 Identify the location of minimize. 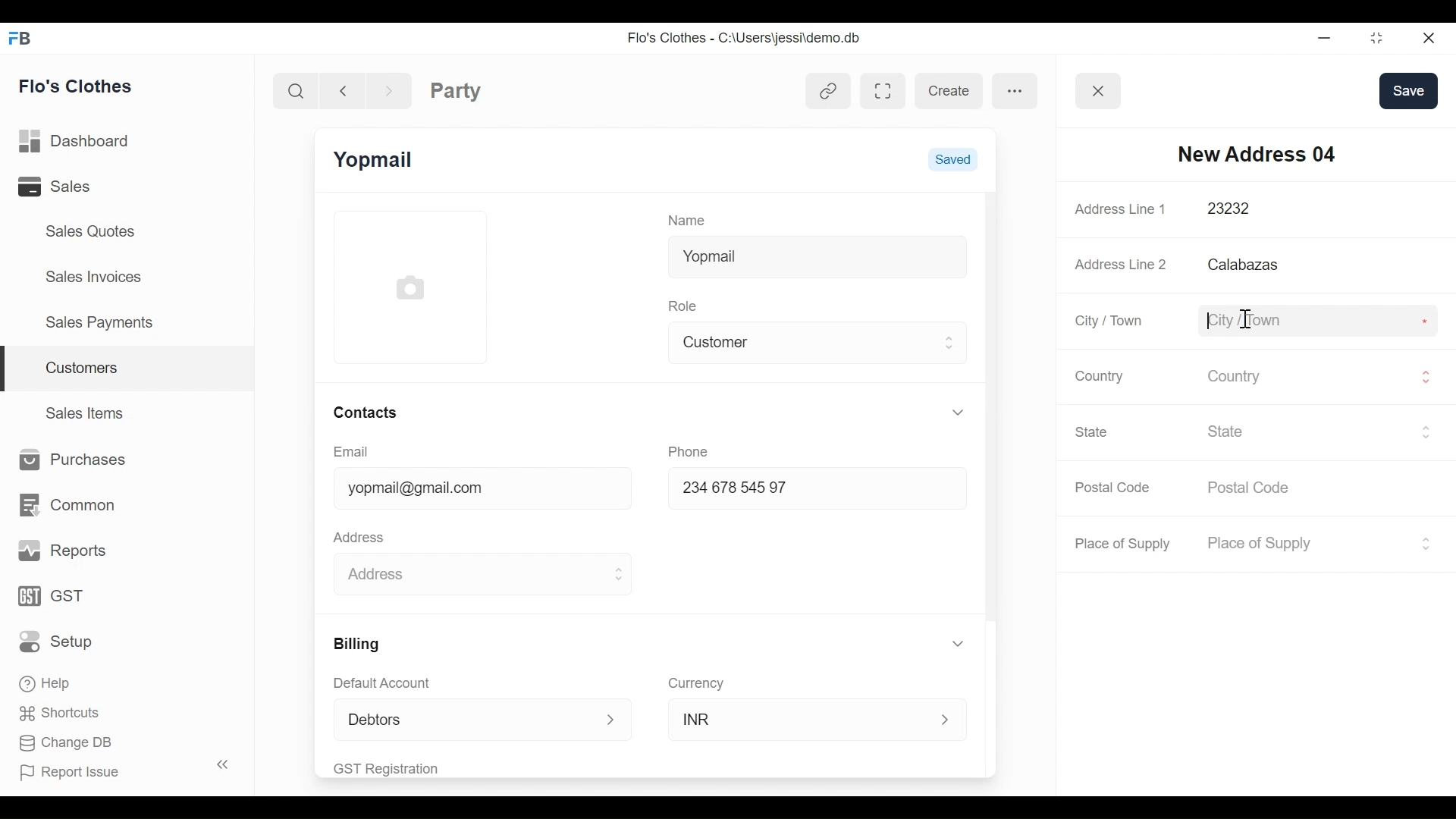
(1323, 37).